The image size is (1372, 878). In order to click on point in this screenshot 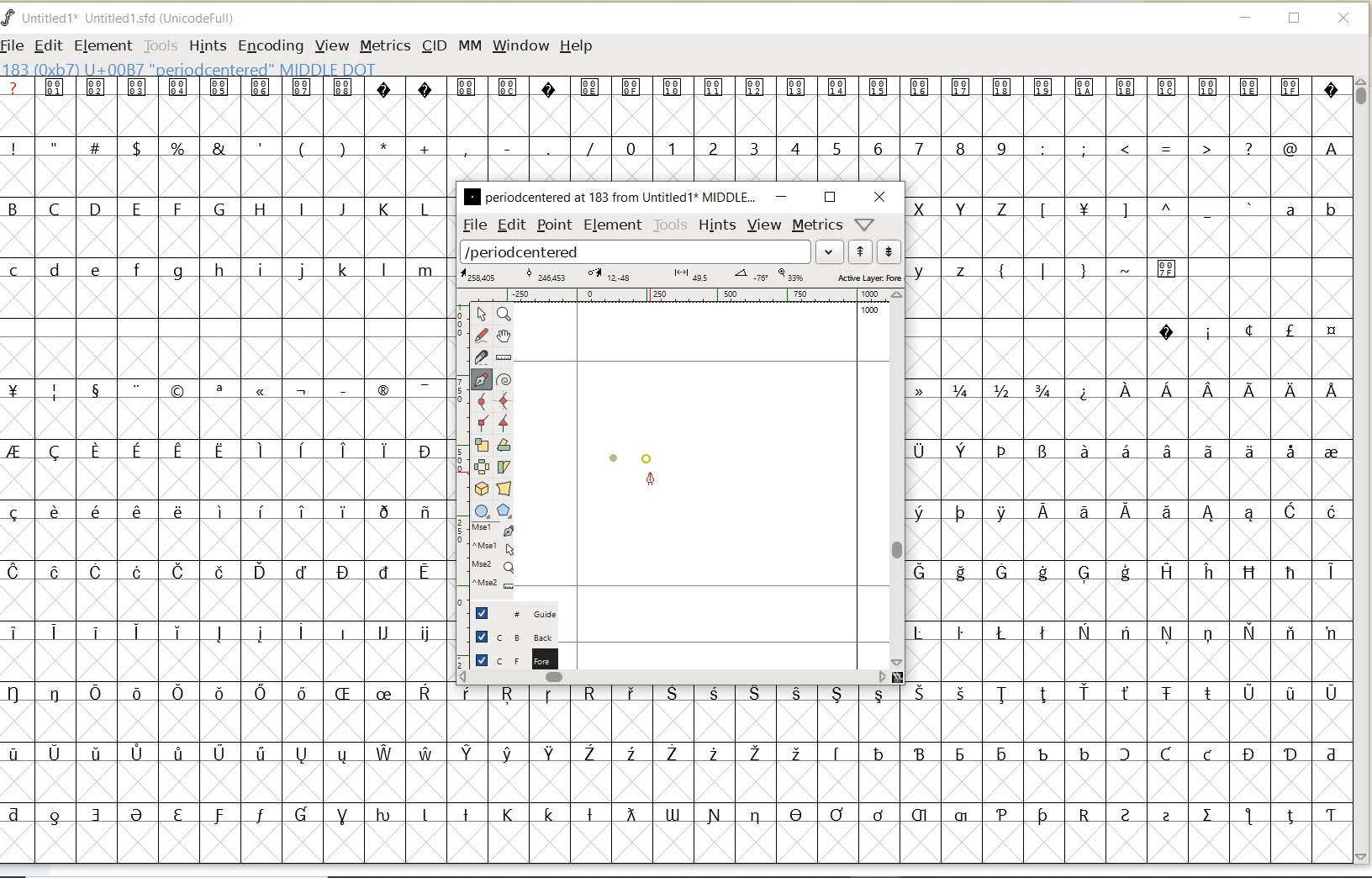, I will do `click(554, 226)`.